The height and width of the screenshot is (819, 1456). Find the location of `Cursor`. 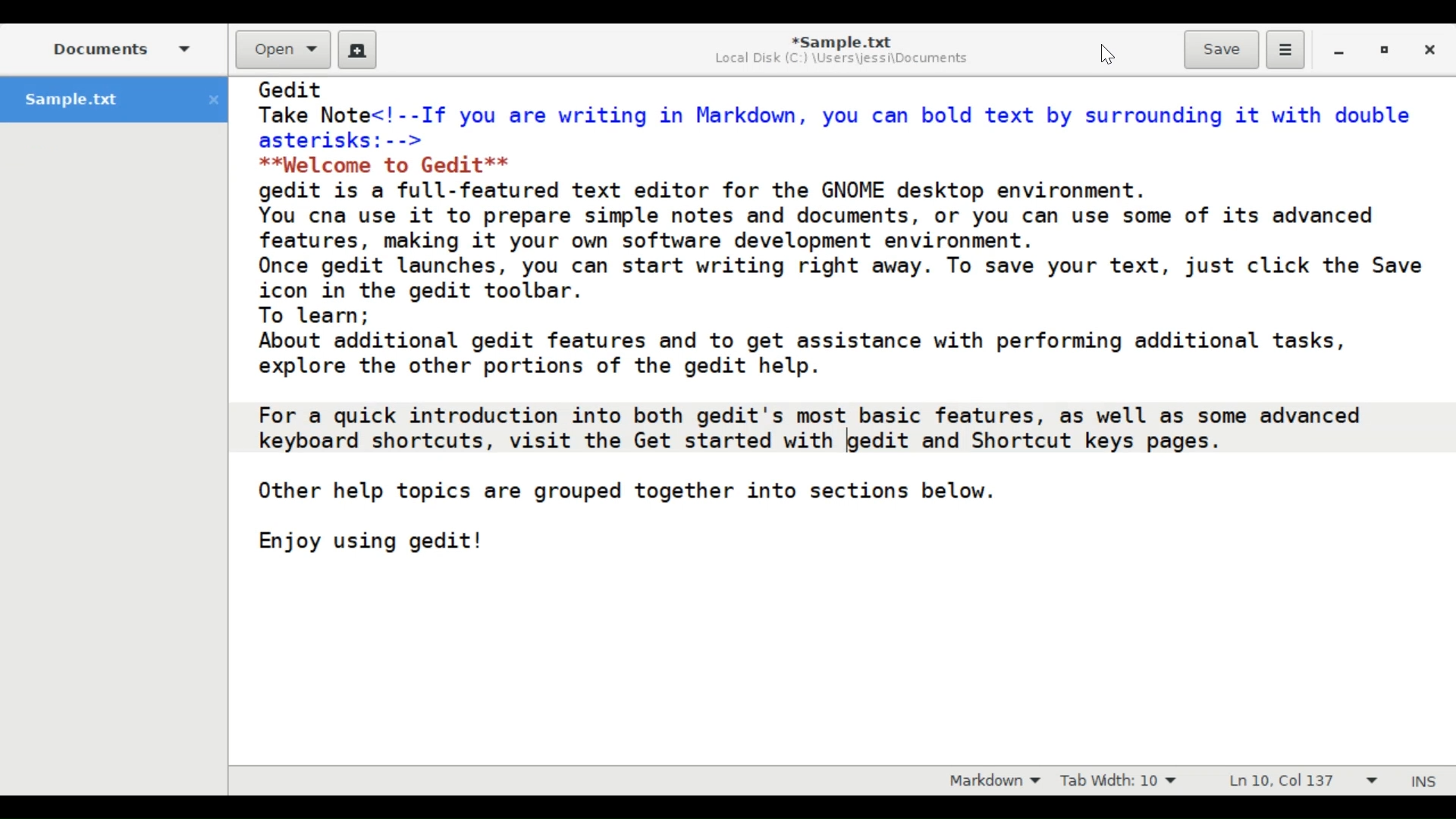

Cursor is located at coordinates (1108, 57).